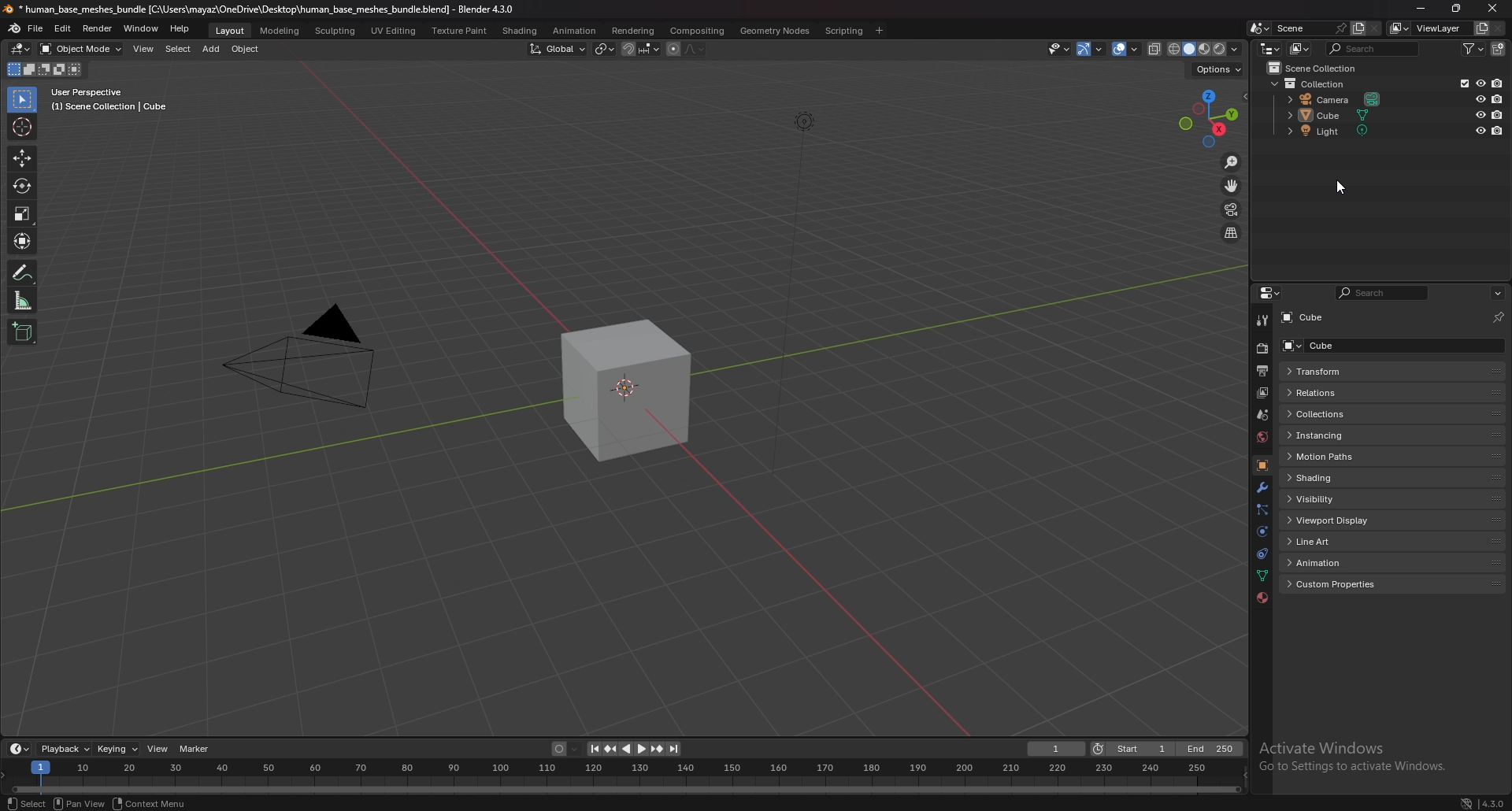  What do you see at coordinates (641, 49) in the screenshot?
I see `snapping` at bounding box center [641, 49].